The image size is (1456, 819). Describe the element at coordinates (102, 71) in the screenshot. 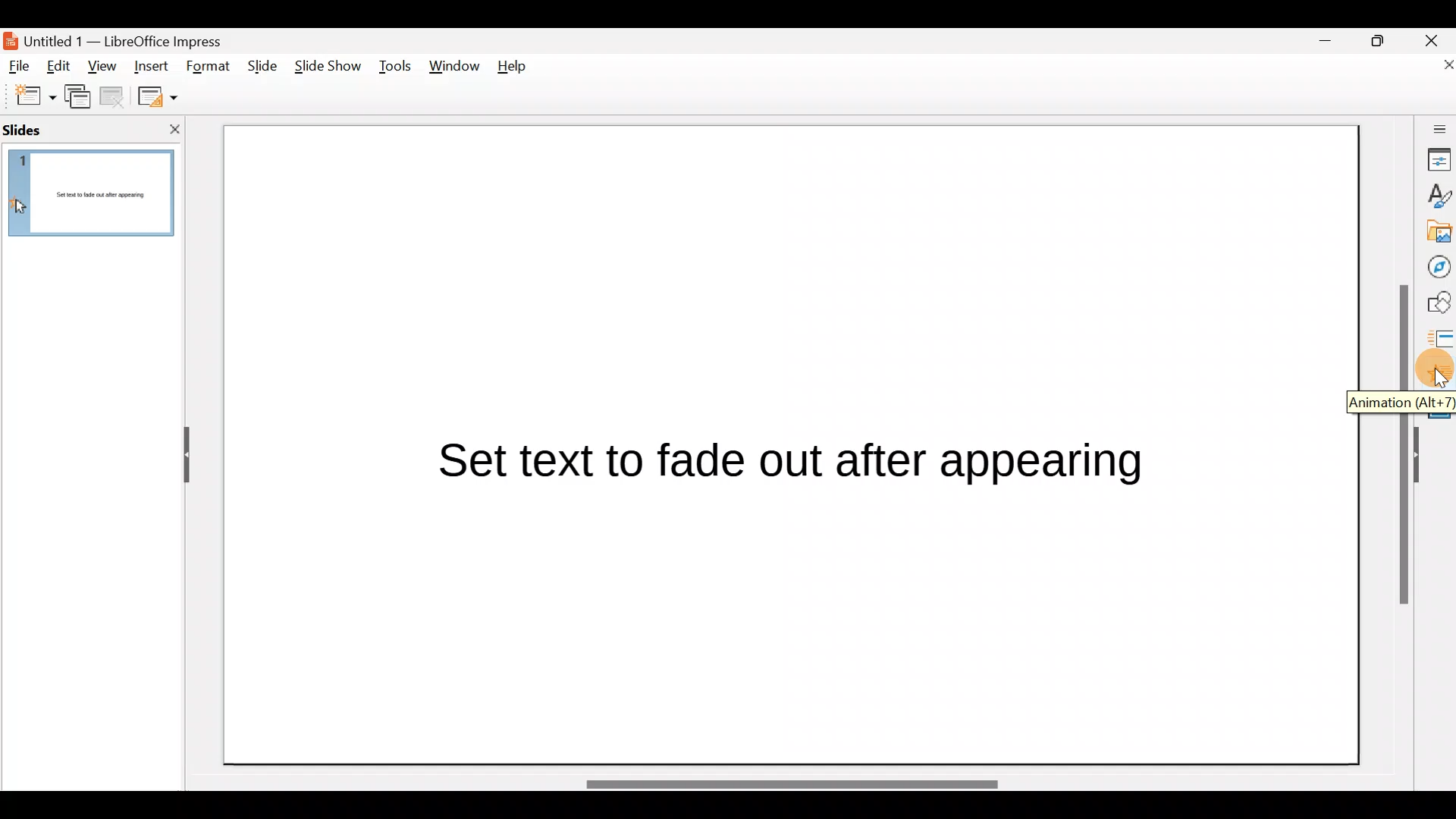

I see `View` at that location.